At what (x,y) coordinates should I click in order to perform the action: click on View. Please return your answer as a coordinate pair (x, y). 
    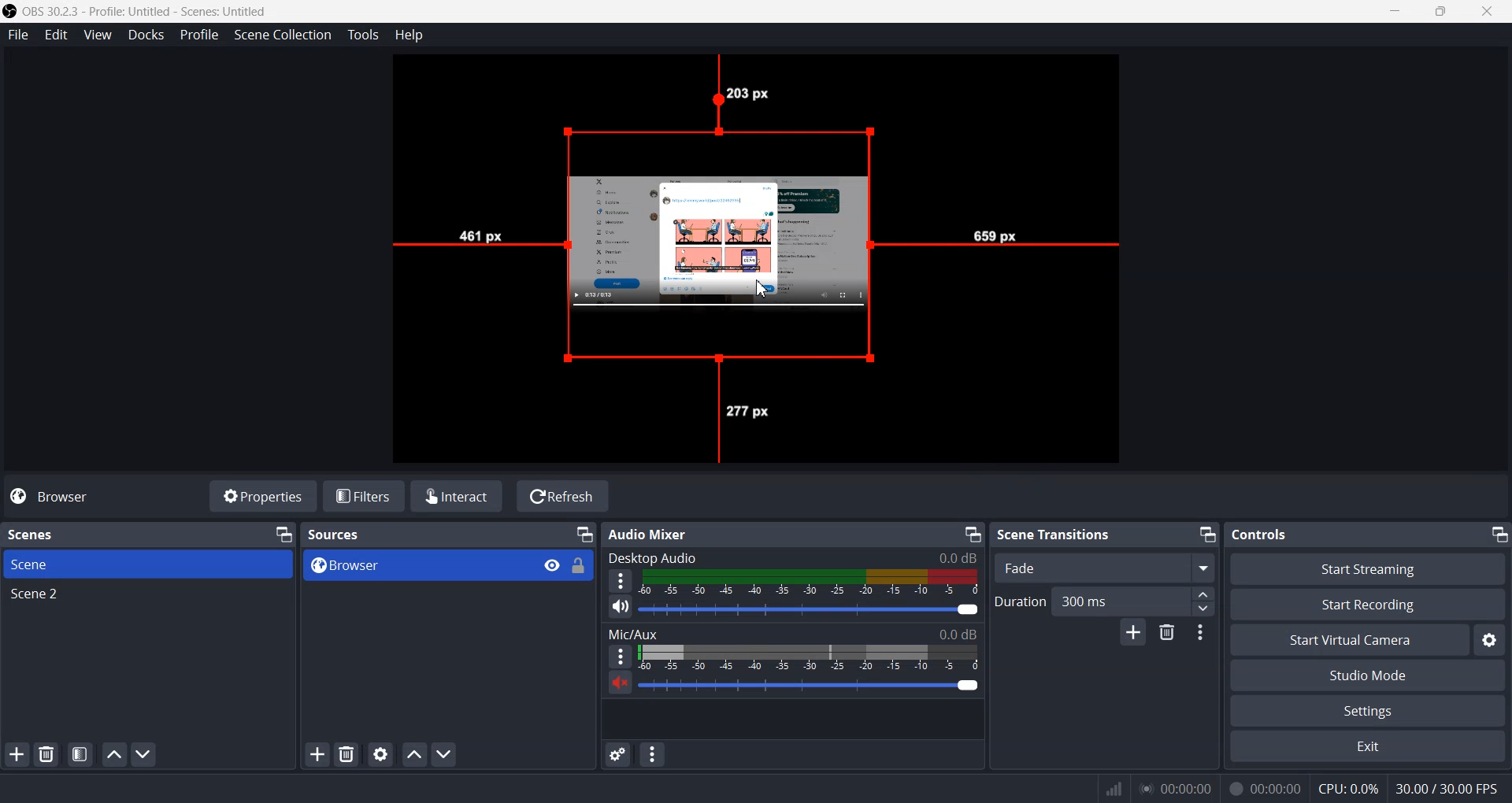
    Looking at the image, I should click on (545, 564).